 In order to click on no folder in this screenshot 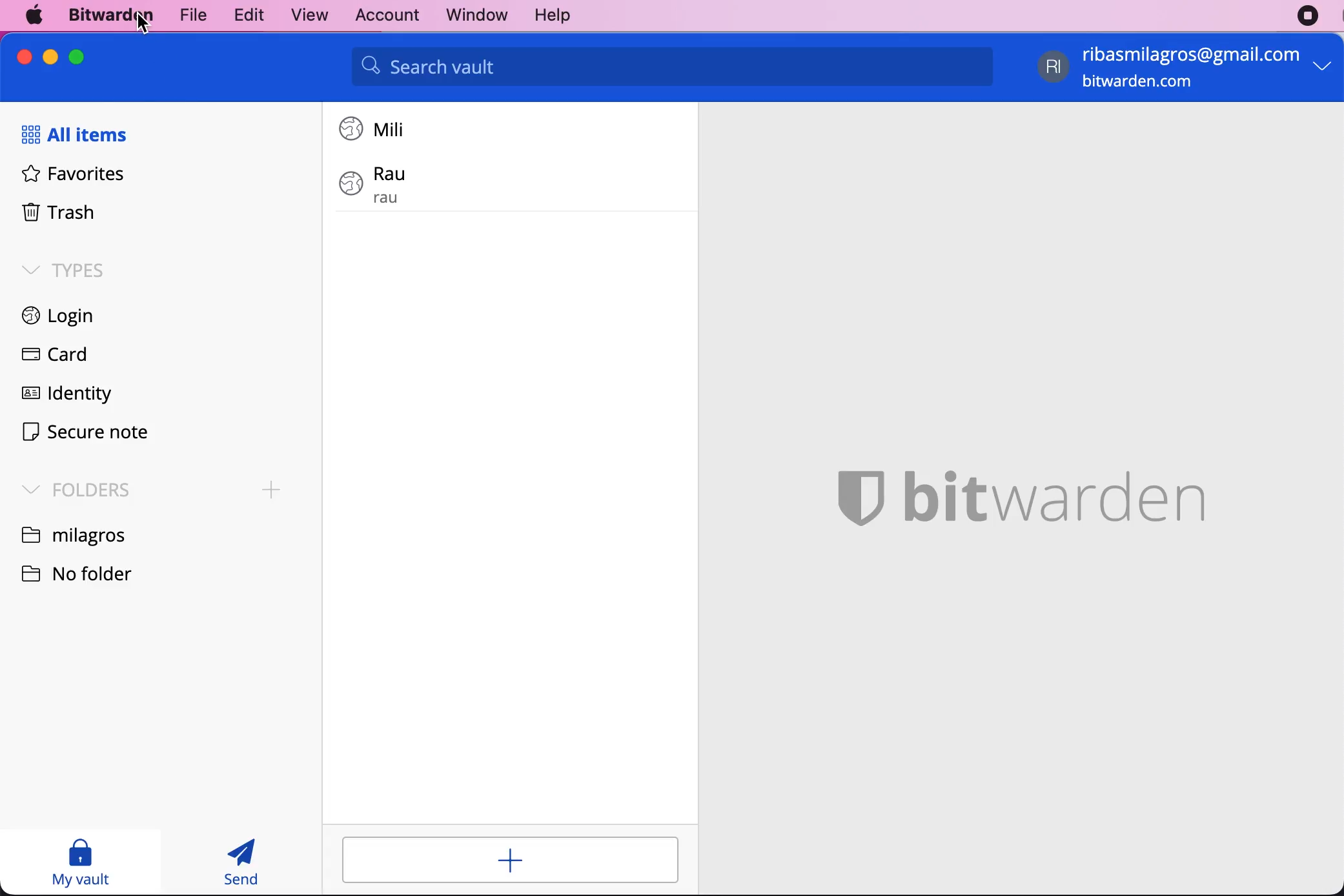, I will do `click(87, 572)`.